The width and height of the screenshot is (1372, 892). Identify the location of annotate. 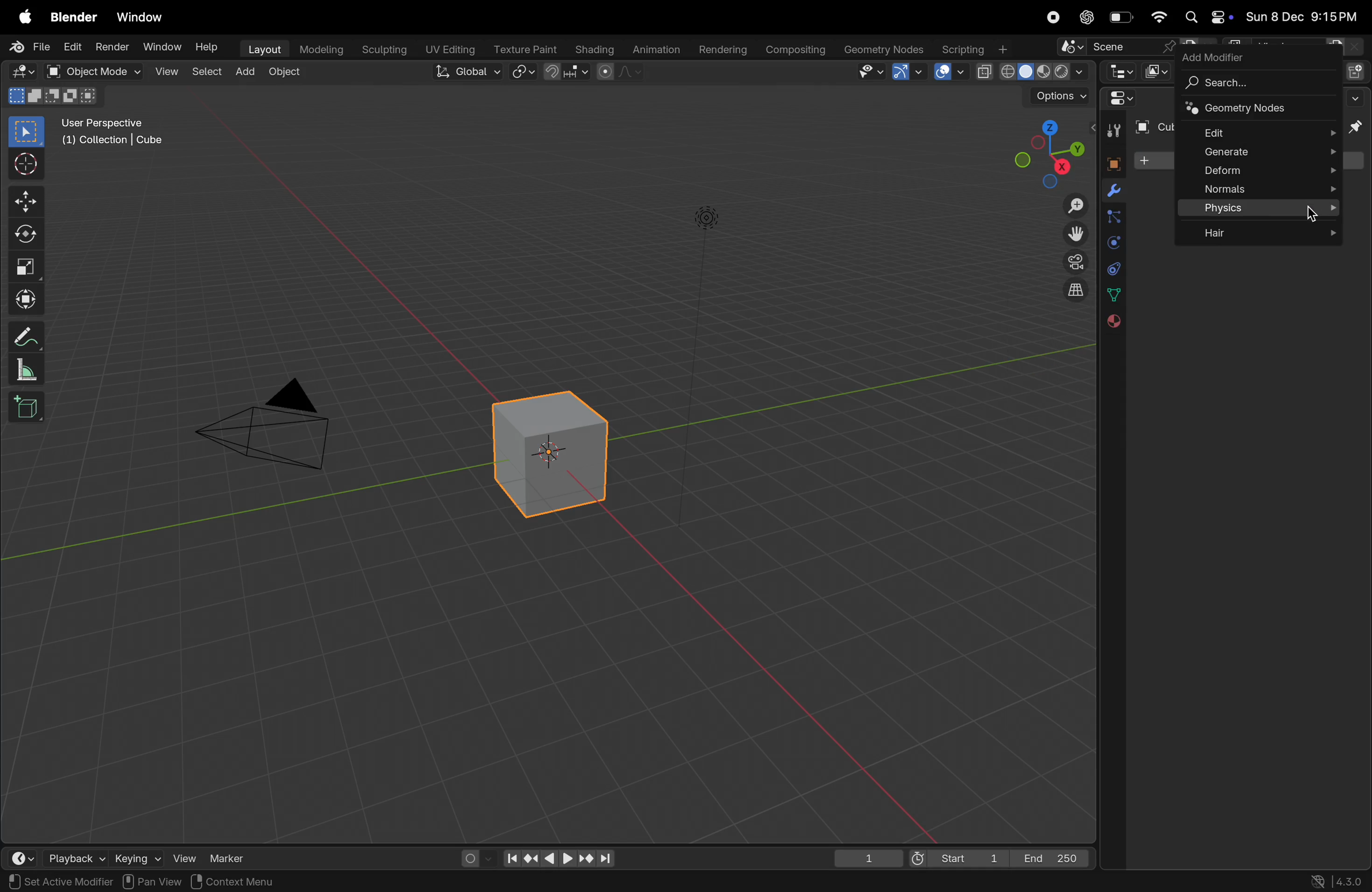
(26, 337).